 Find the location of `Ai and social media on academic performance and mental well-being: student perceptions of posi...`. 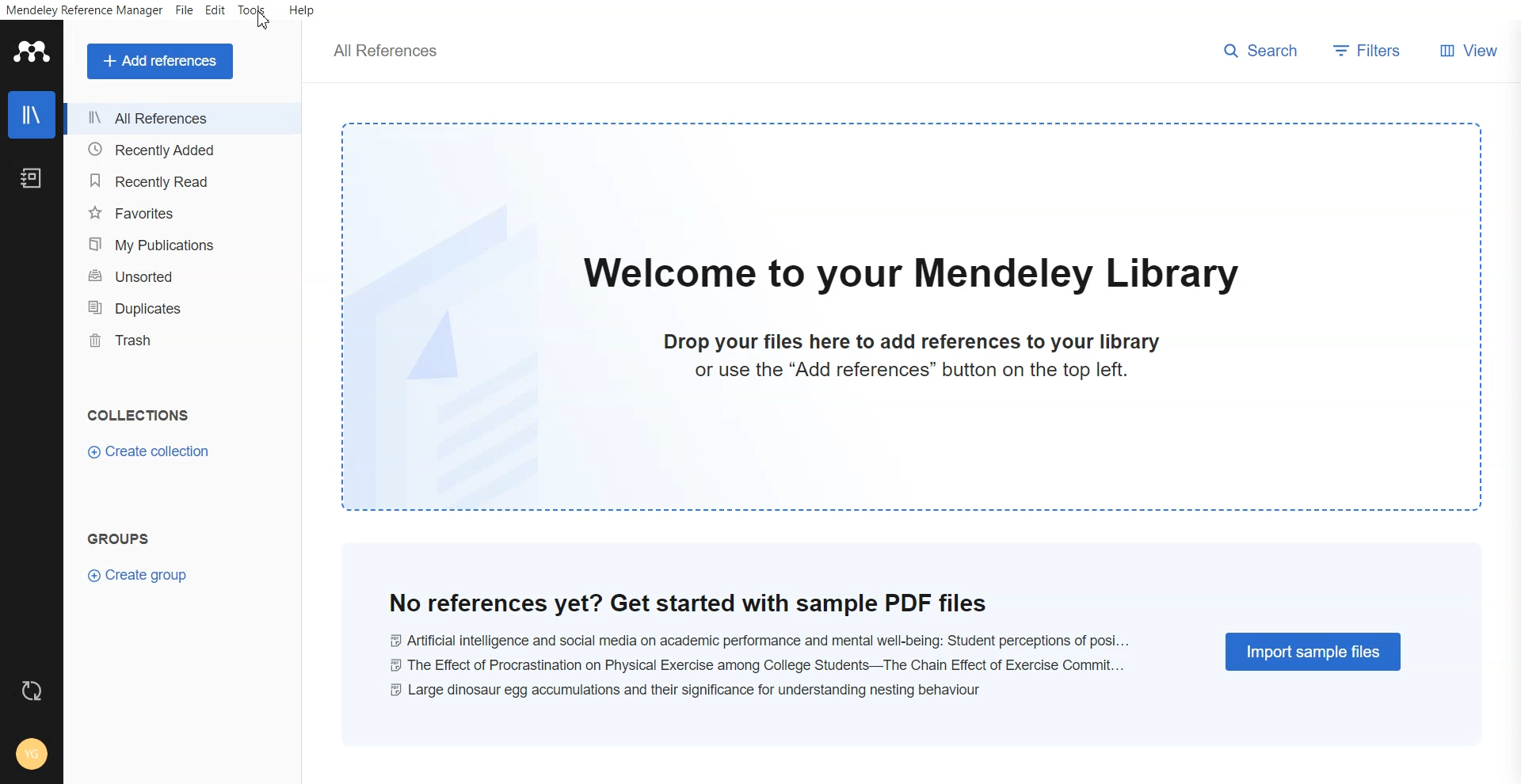

Ai and social media on academic performance and mental well-being: student perceptions of posi... is located at coordinates (757, 641).